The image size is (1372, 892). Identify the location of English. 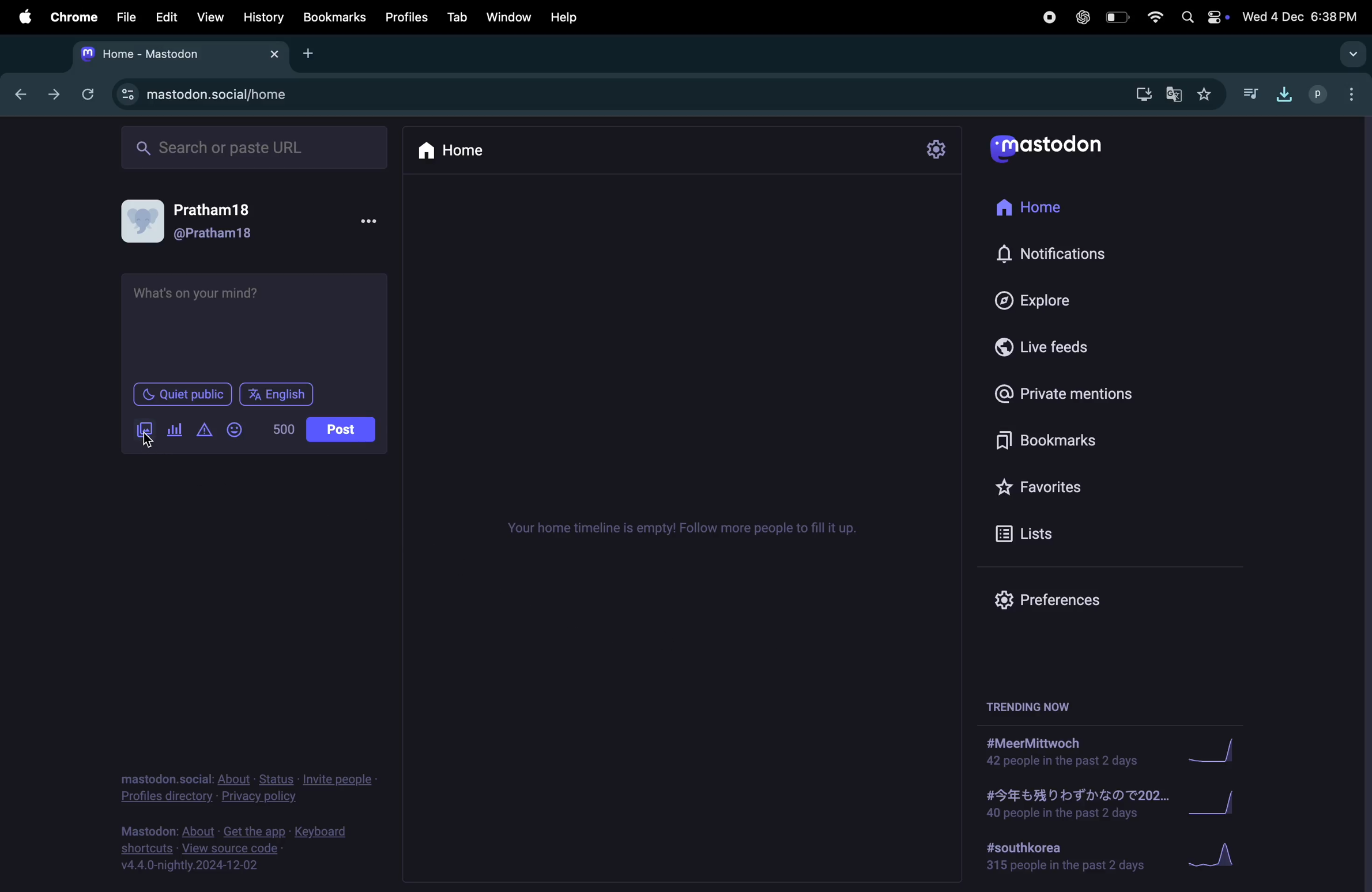
(275, 394).